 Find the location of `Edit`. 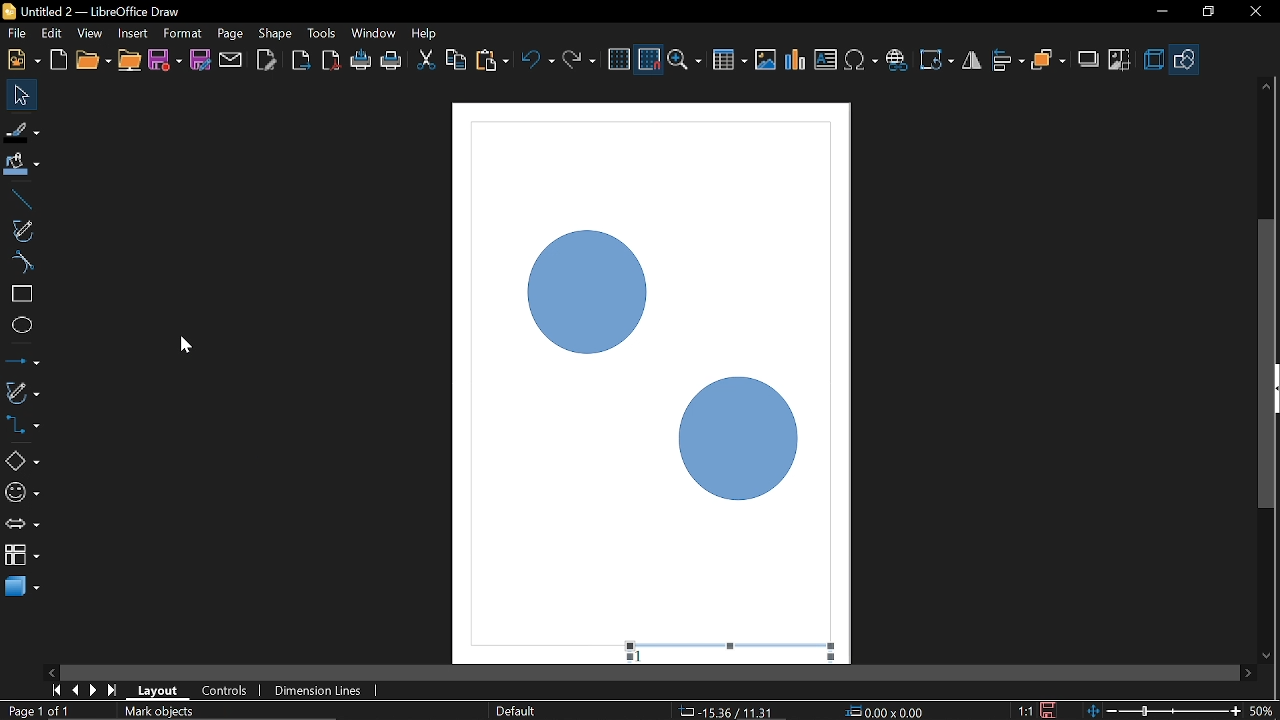

Edit is located at coordinates (53, 34).